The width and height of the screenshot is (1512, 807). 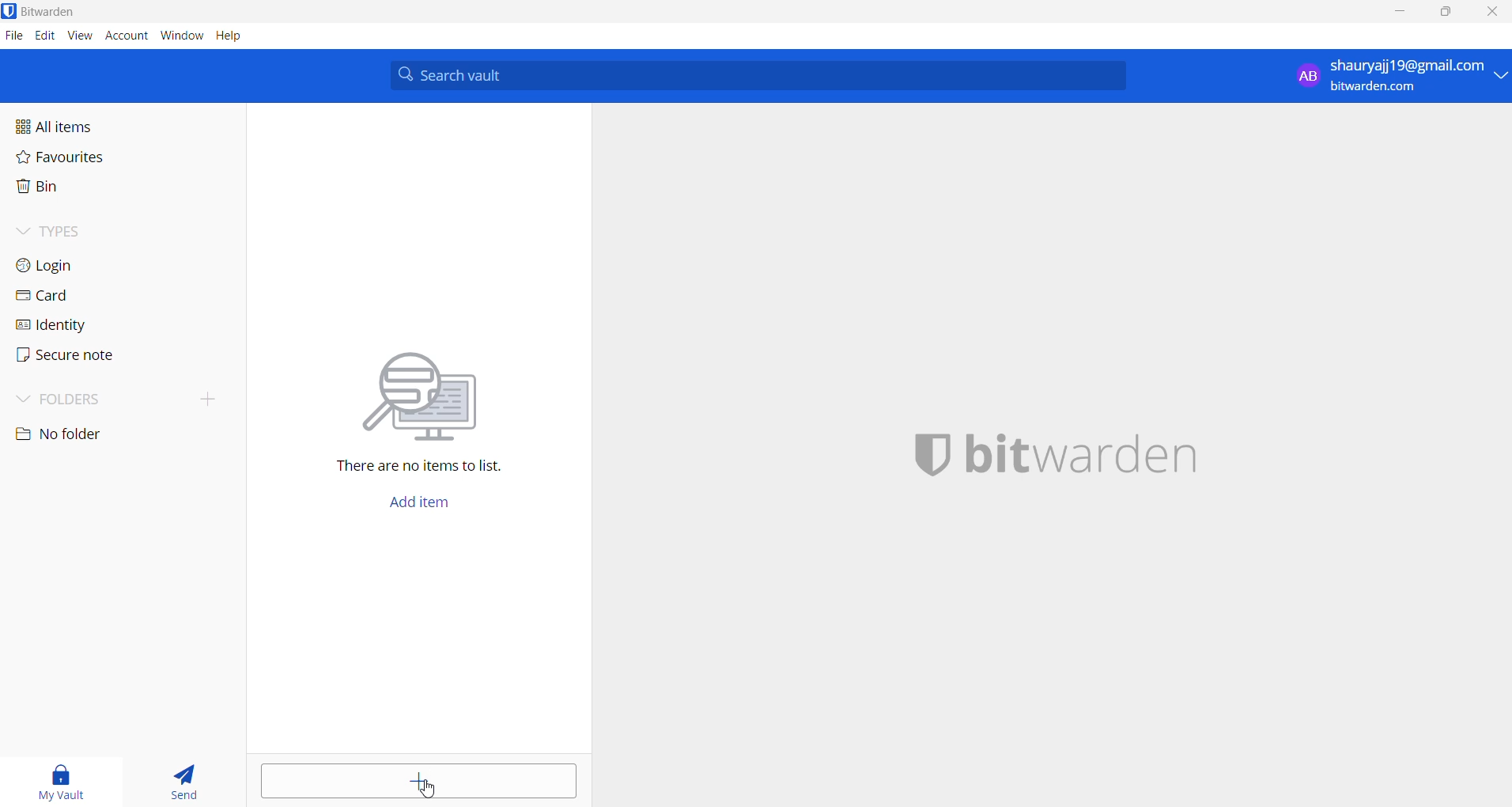 I want to click on card, so click(x=63, y=297).